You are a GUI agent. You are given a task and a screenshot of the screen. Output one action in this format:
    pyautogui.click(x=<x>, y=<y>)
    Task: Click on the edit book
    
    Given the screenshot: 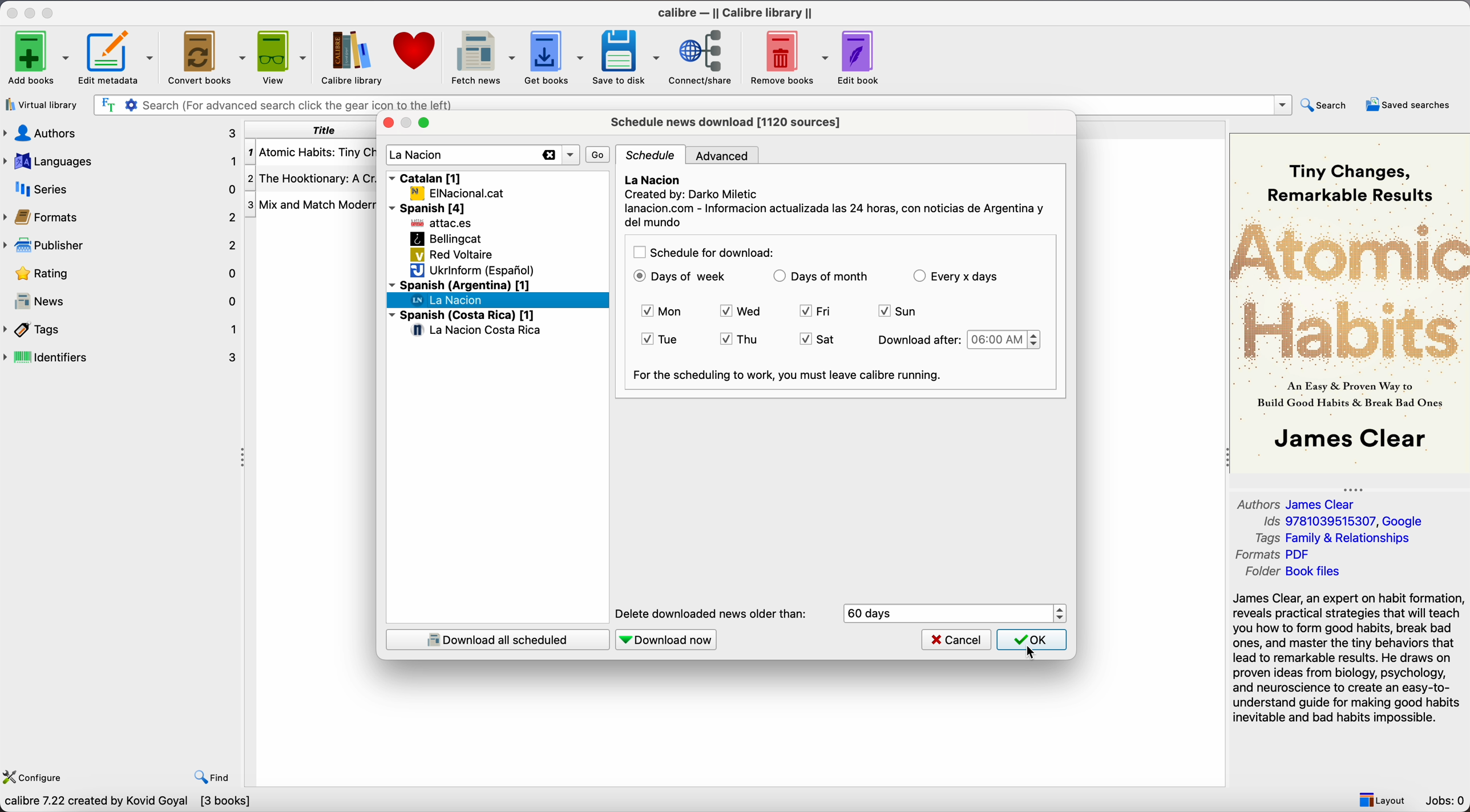 What is the action you would take?
    pyautogui.click(x=860, y=56)
    